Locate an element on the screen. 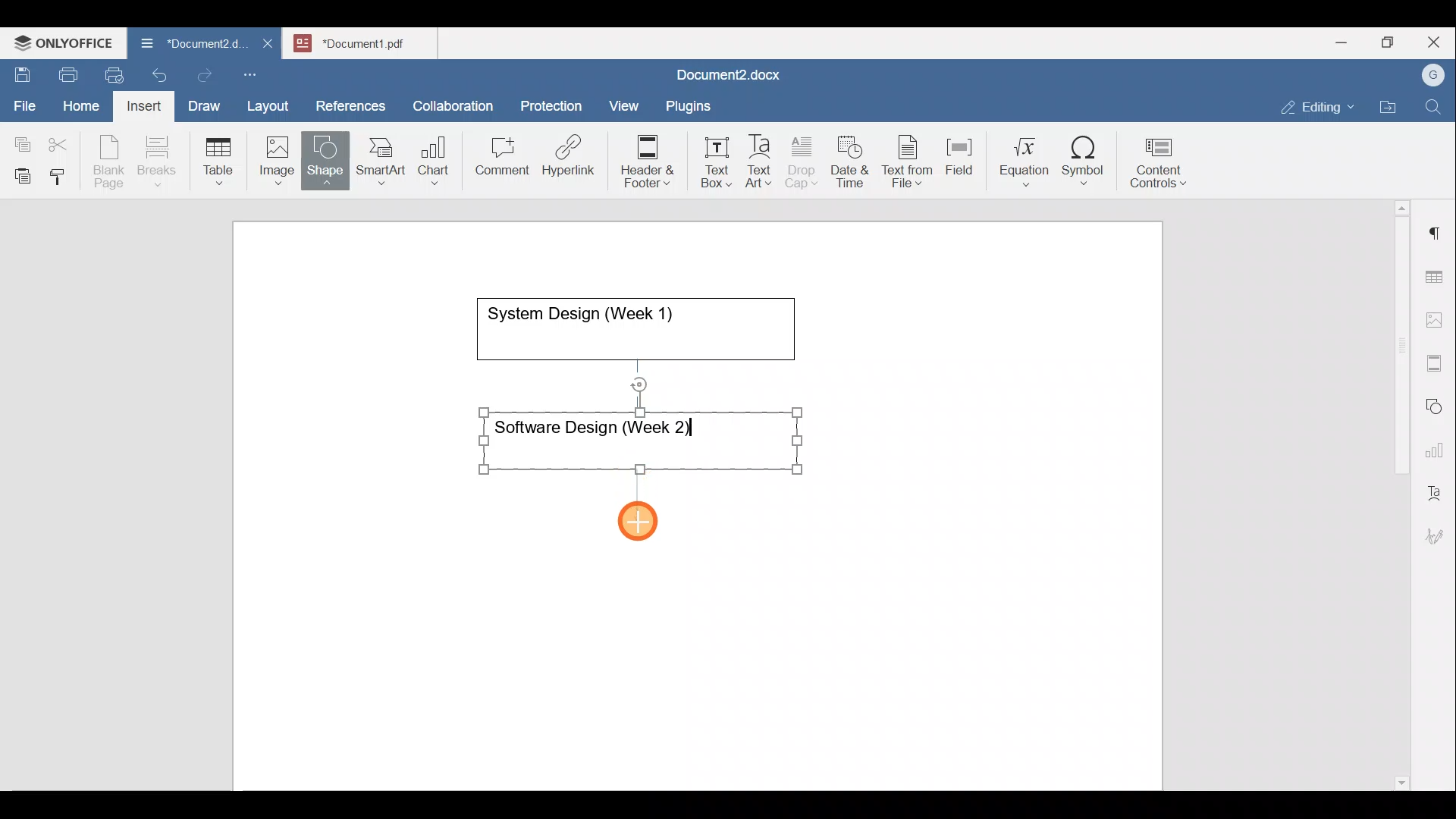 The height and width of the screenshot is (819, 1456). Print file is located at coordinates (65, 72).